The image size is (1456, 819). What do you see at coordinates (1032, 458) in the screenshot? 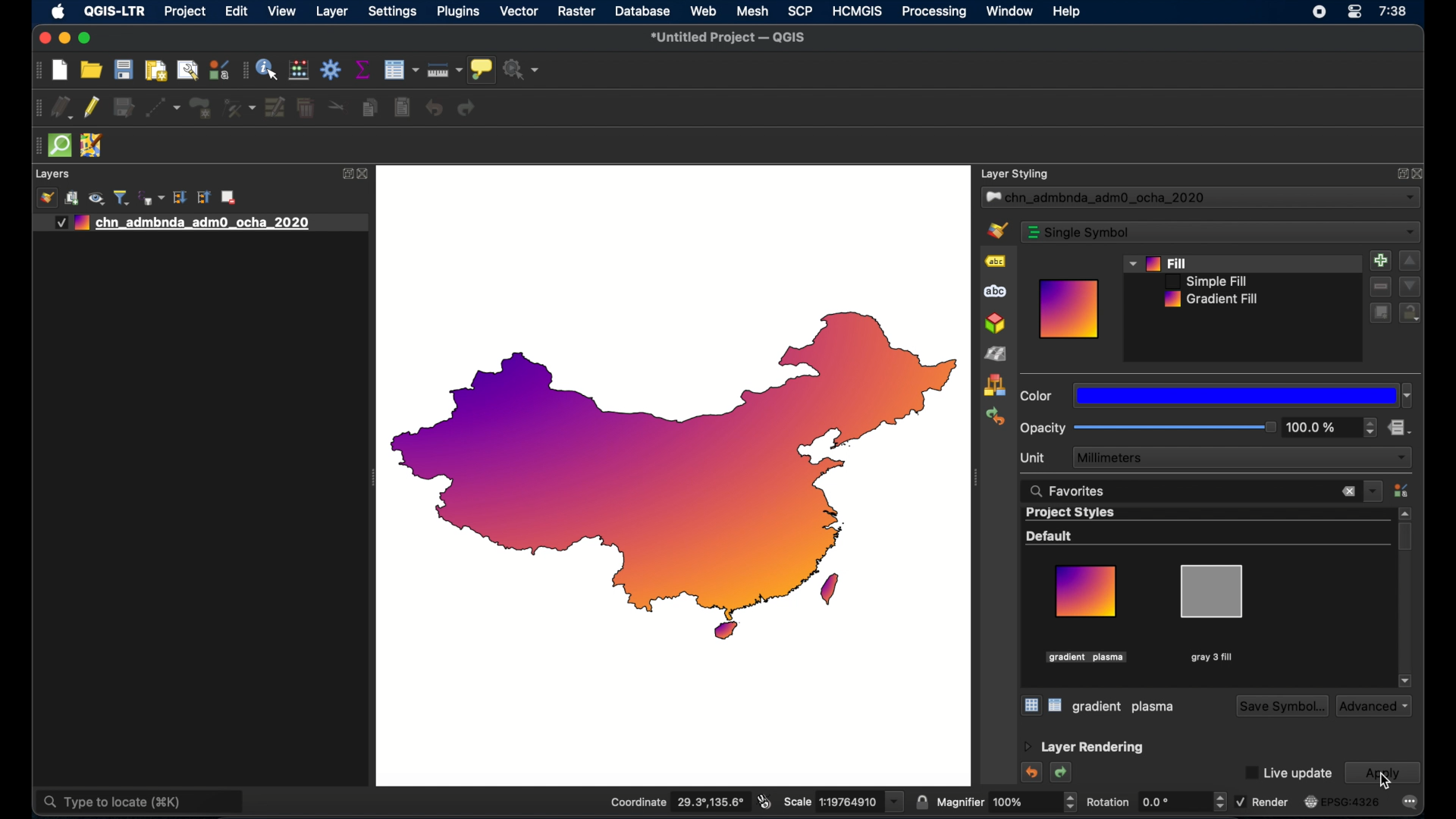
I see `unit` at bounding box center [1032, 458].